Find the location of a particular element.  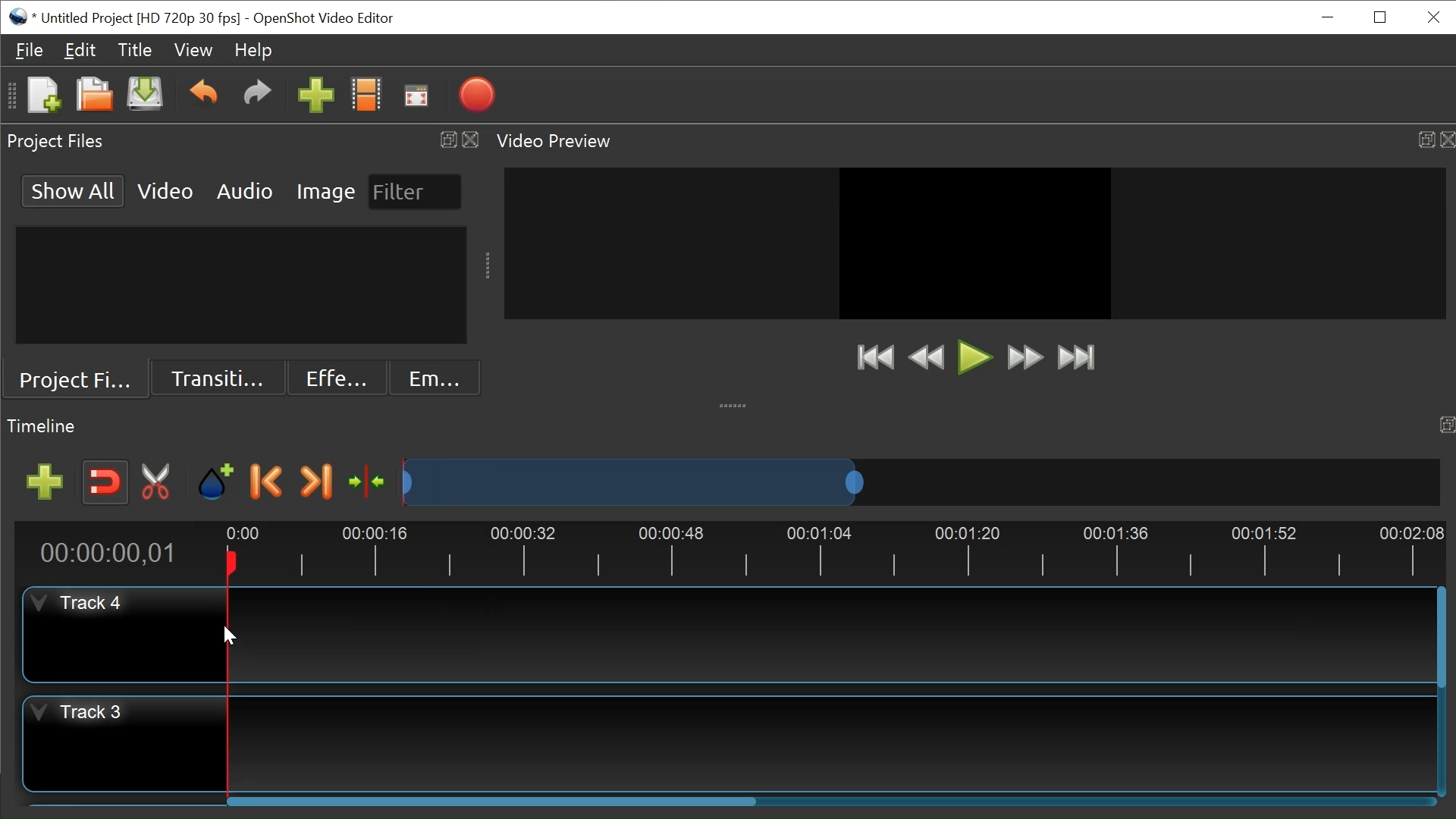

Filter is located at coordinates (413, 192).